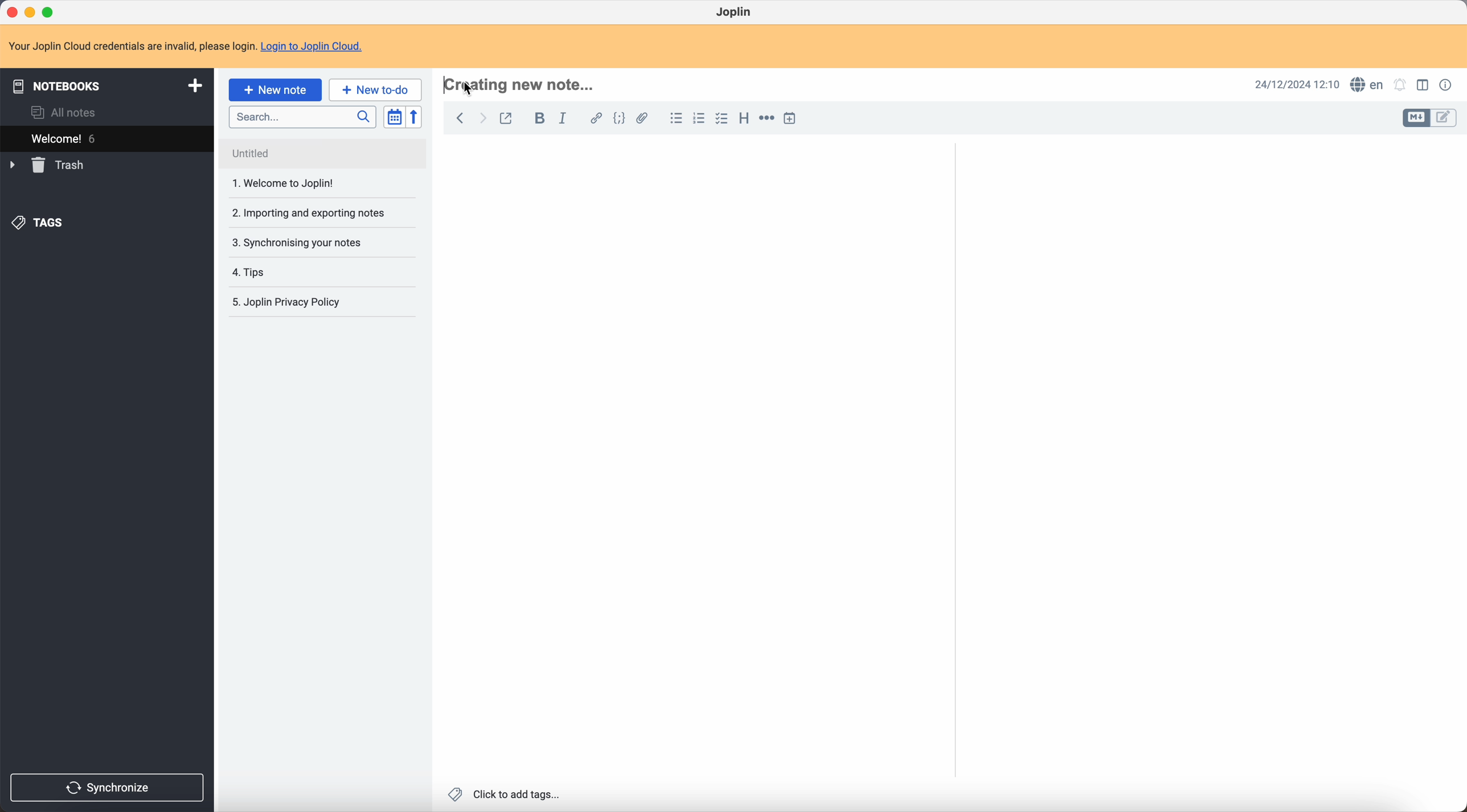  Describe the element at coordinates (40, 224) in the screenshot. I see `tags` at that location.